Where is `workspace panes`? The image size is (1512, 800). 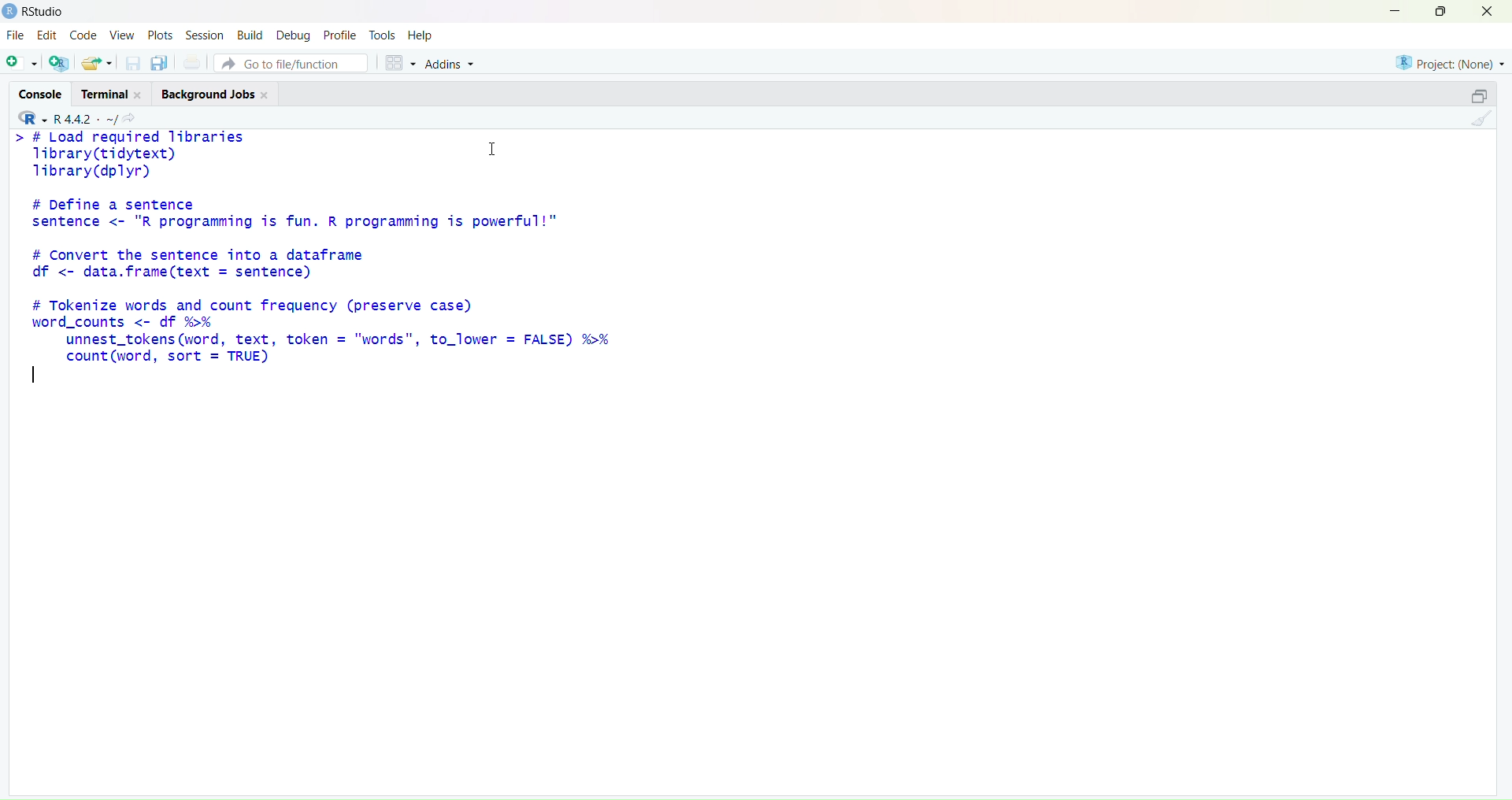
workspace panes is located at coordinates (398, 64).